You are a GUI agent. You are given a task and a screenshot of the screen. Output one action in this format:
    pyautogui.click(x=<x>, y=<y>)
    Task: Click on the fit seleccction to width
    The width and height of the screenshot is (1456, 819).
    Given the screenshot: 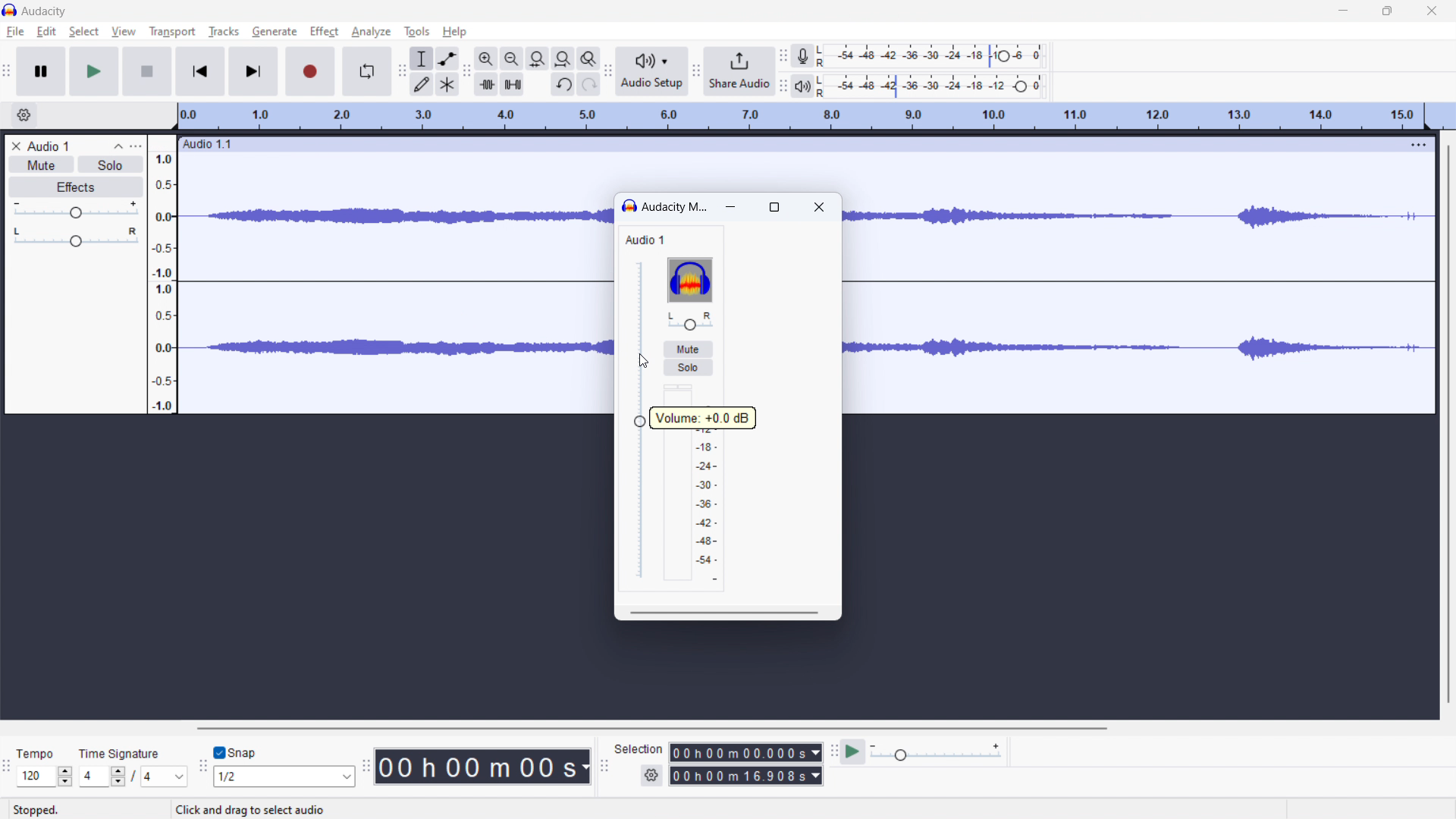 What is the action you would take?
    pyautogui.click(x=538, y=58)
    